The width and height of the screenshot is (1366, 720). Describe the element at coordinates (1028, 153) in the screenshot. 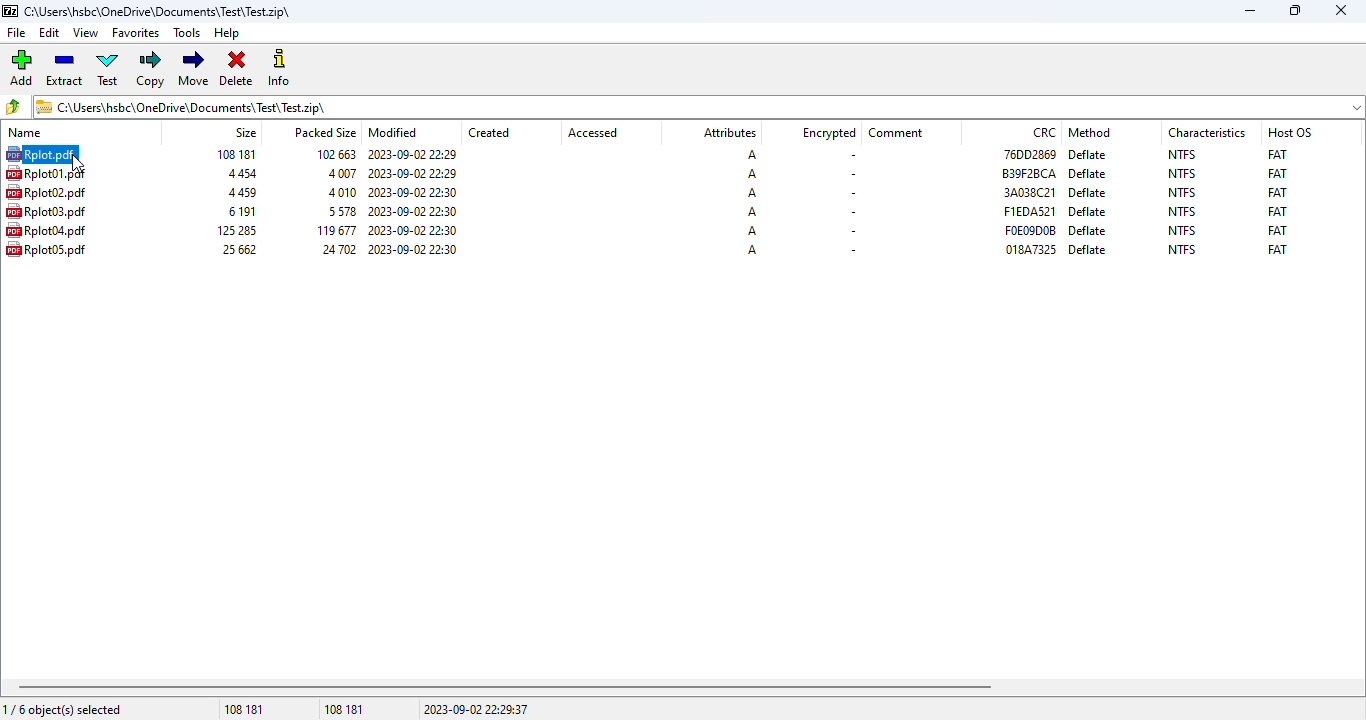

I see `CRC` at that location.